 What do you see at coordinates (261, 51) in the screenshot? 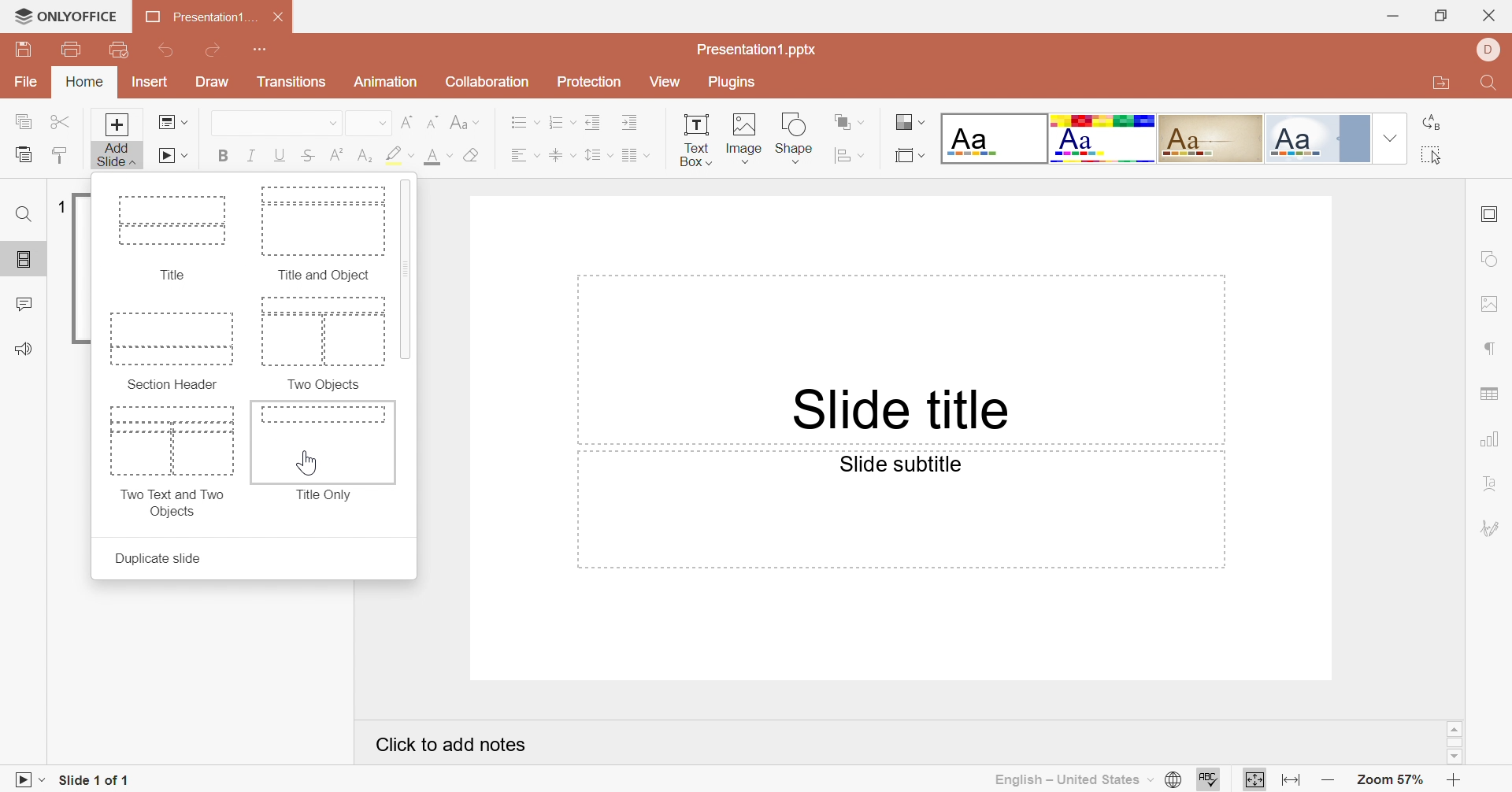
I see `Customize Quick Access Toolbar` at bounding box center [261, 51].